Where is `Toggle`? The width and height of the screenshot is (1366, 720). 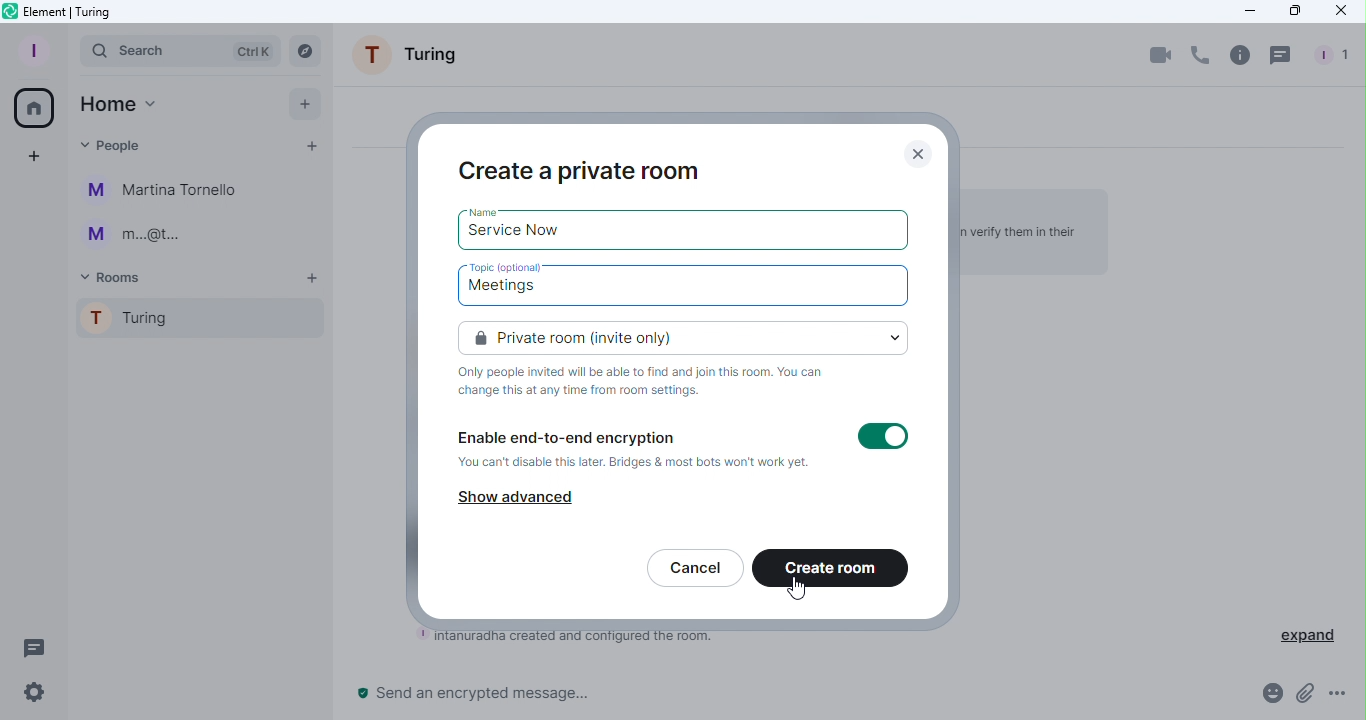 Toggle is located at coordinates (883, 438).